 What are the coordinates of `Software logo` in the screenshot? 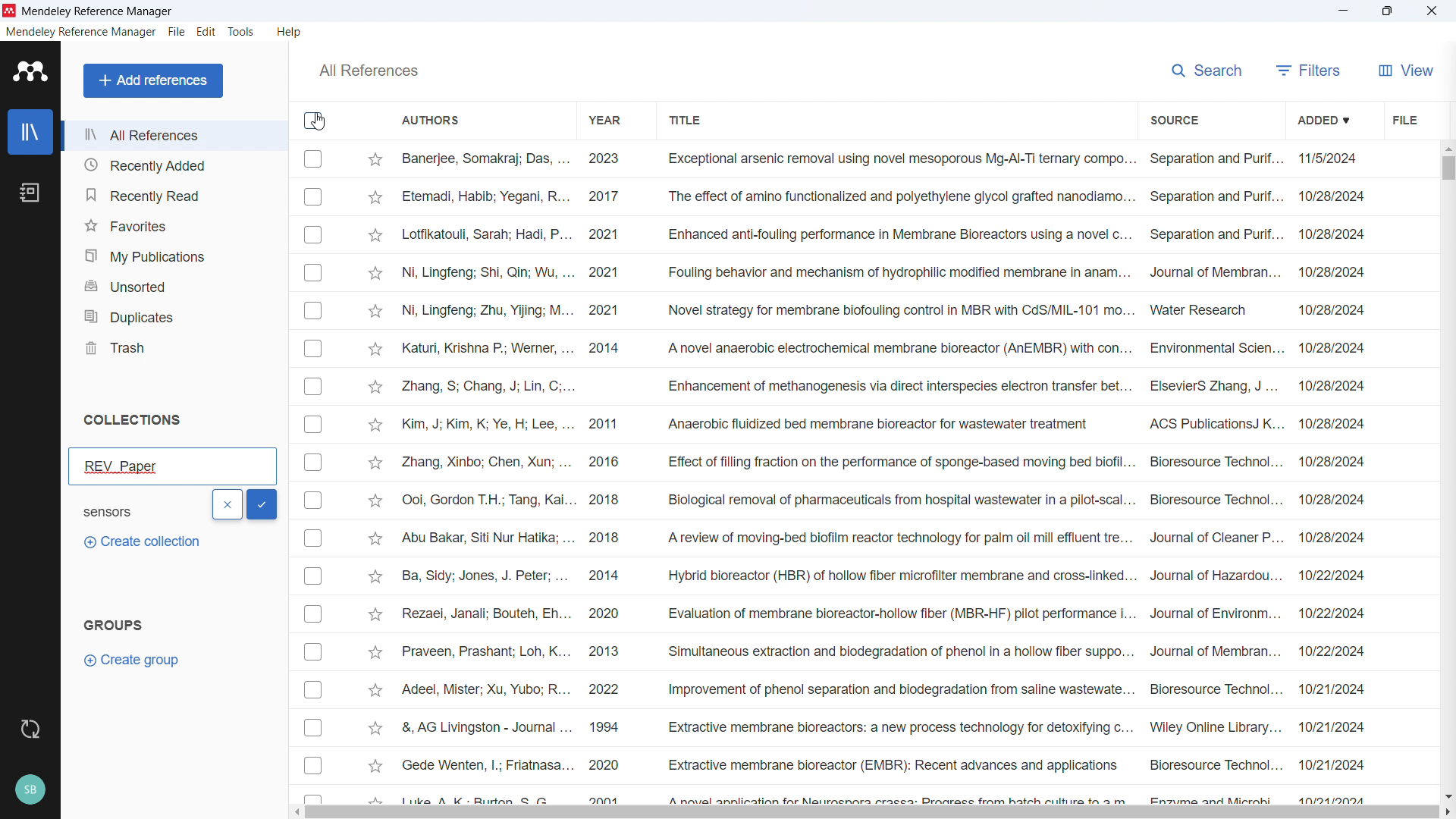 It's located at (28, 71).